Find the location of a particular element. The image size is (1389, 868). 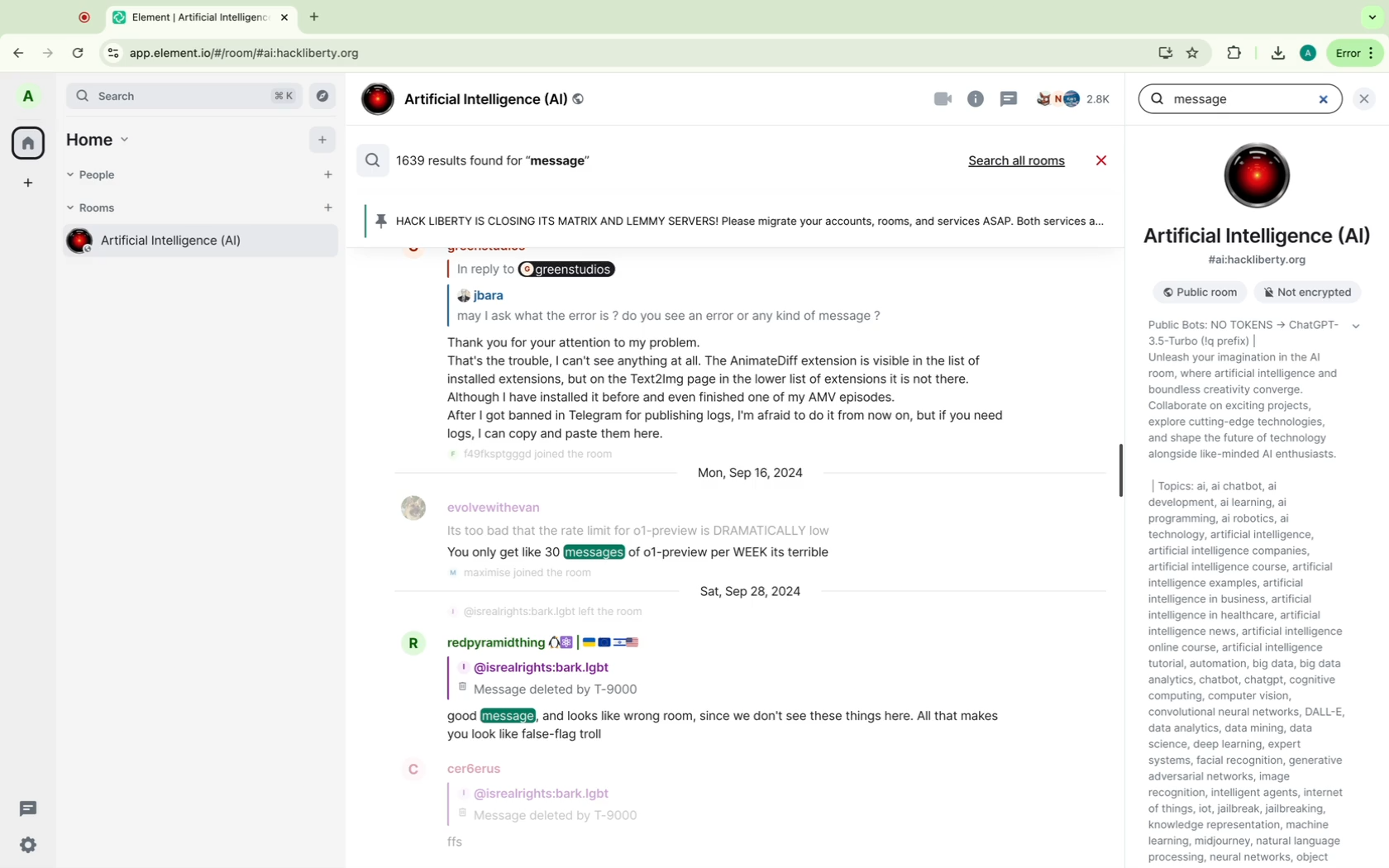

reply is located at coordinates (550, 693).